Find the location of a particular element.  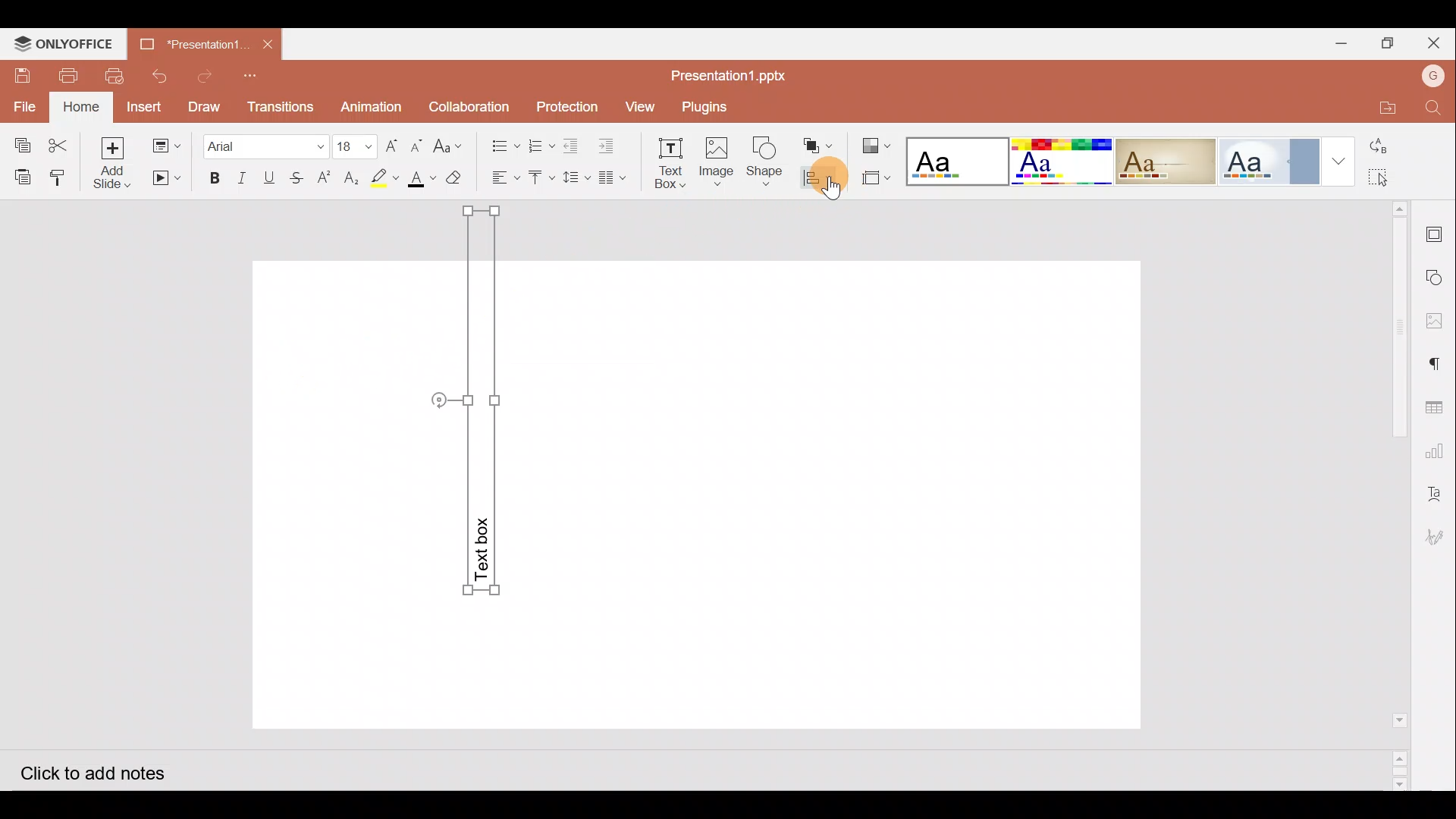

Quick print is located at coordinates (112, 77).